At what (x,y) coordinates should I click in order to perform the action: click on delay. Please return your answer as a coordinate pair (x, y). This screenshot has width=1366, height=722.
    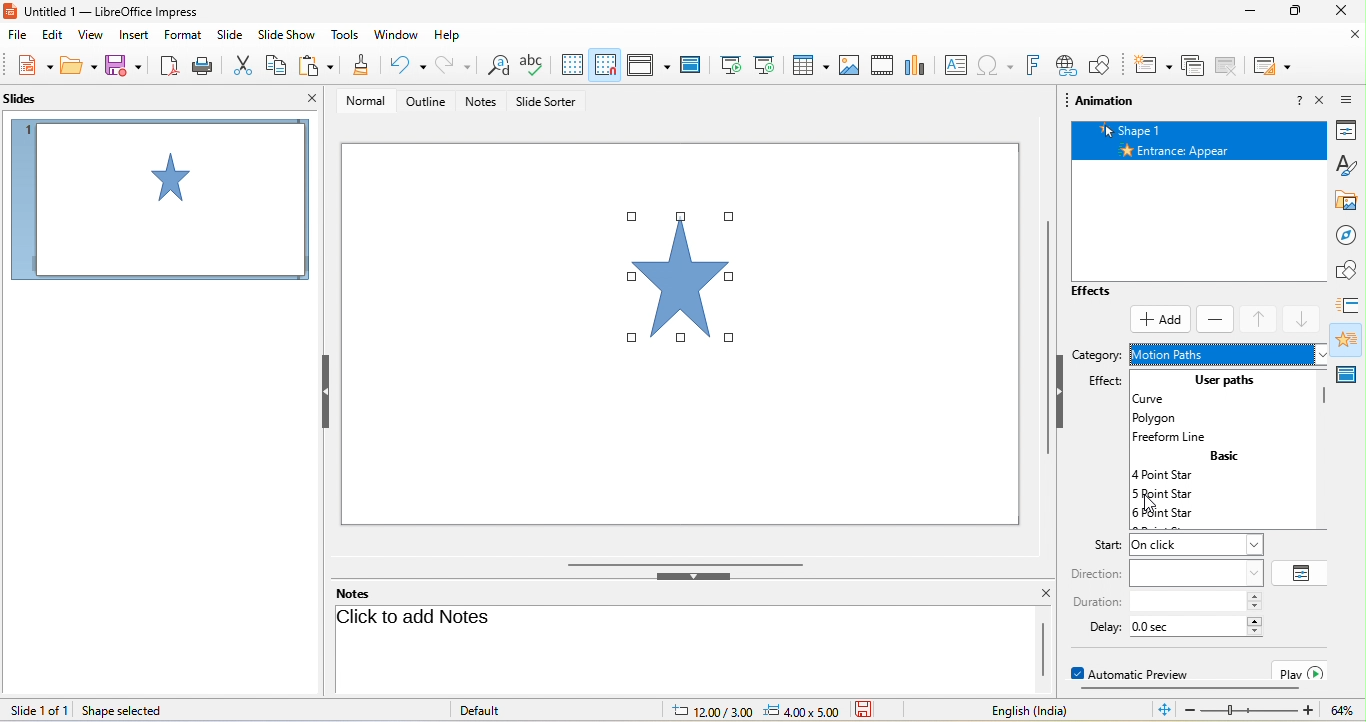
    Looking at the image, I should click on (1098, 626).